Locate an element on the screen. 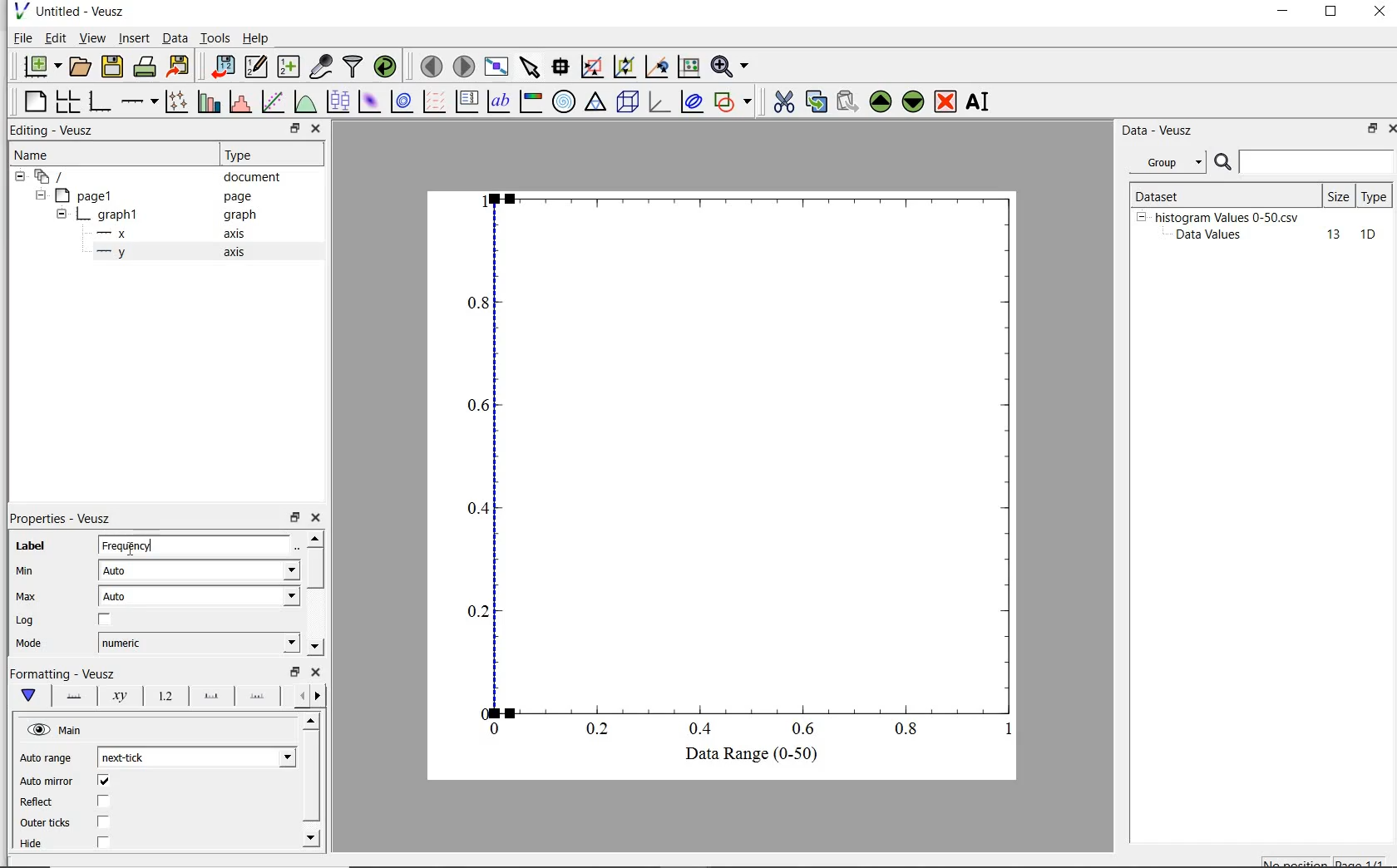 The image size is (1397, 868). editing-veusz is located at coordinates (52, 131).